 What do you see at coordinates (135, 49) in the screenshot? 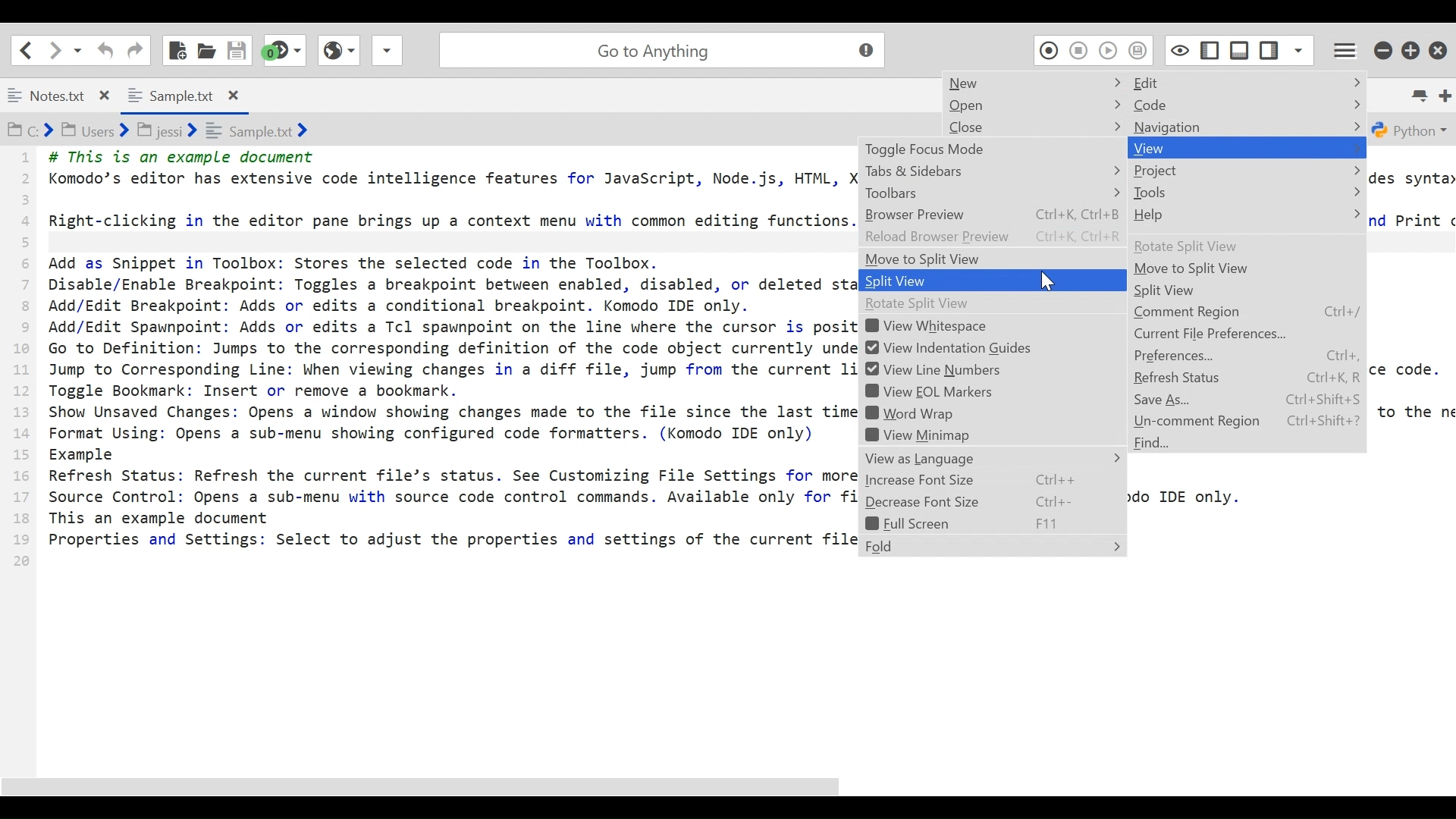
I see `Redo` at bounding box center [135, 49].